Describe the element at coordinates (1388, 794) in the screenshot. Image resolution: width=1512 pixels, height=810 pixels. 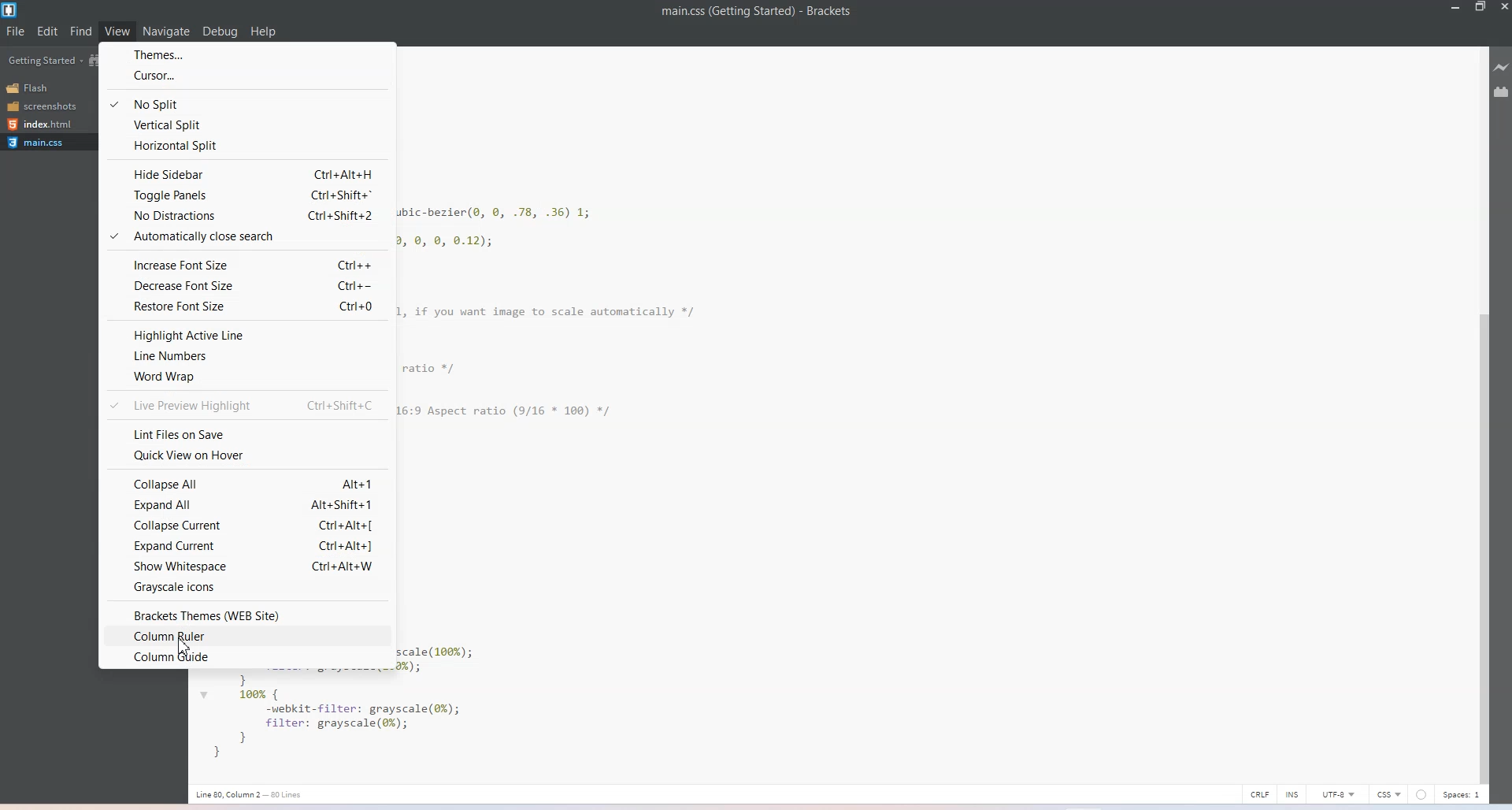
I see `CSS` at that location.